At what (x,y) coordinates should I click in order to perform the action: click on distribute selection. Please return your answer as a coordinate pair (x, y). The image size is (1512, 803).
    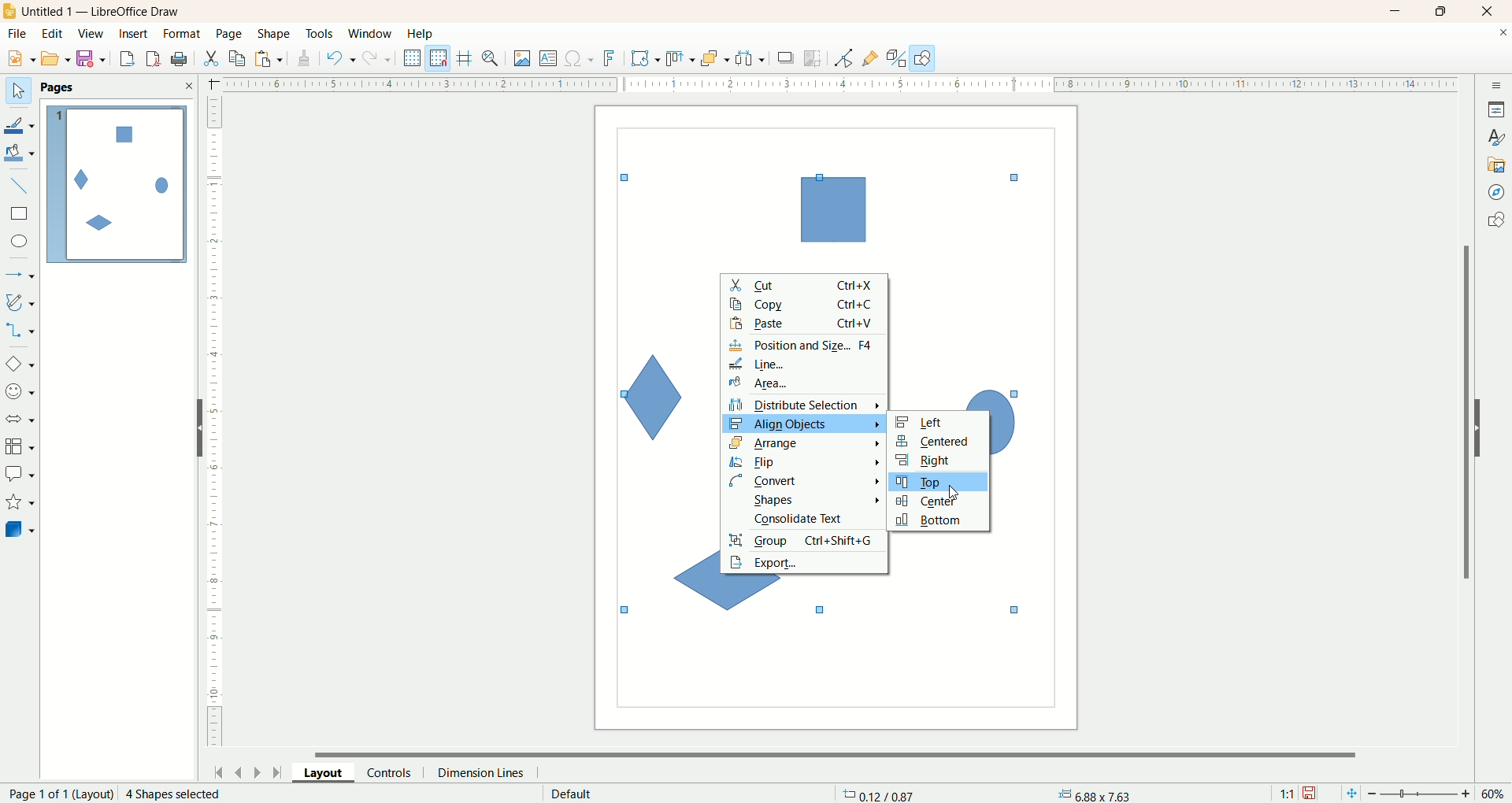
    Looking at the image, I should click on (805, 405).